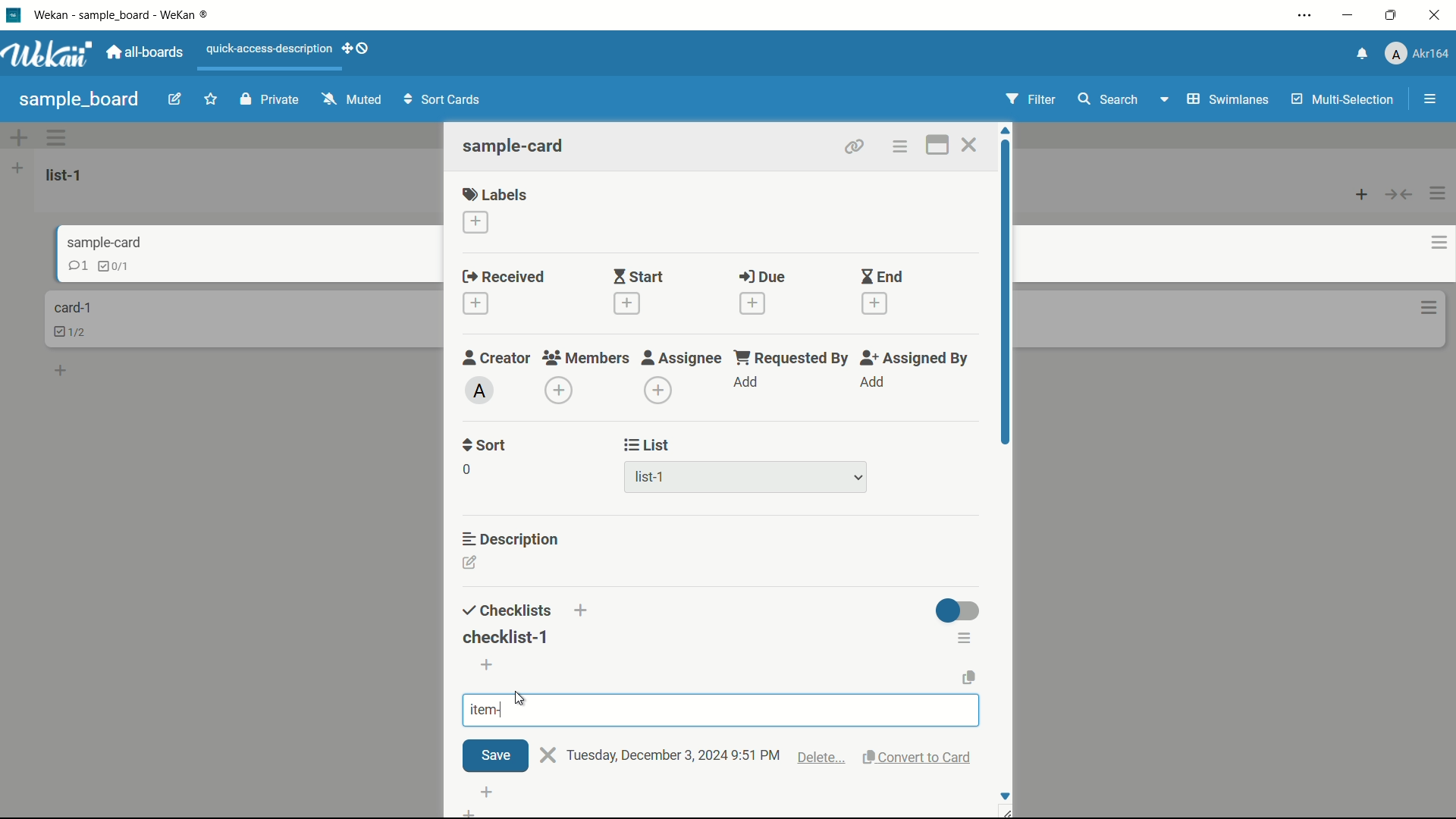 The width and height of the screenshot is (1456, 819). I want to click on checklist, so click(112, 265).